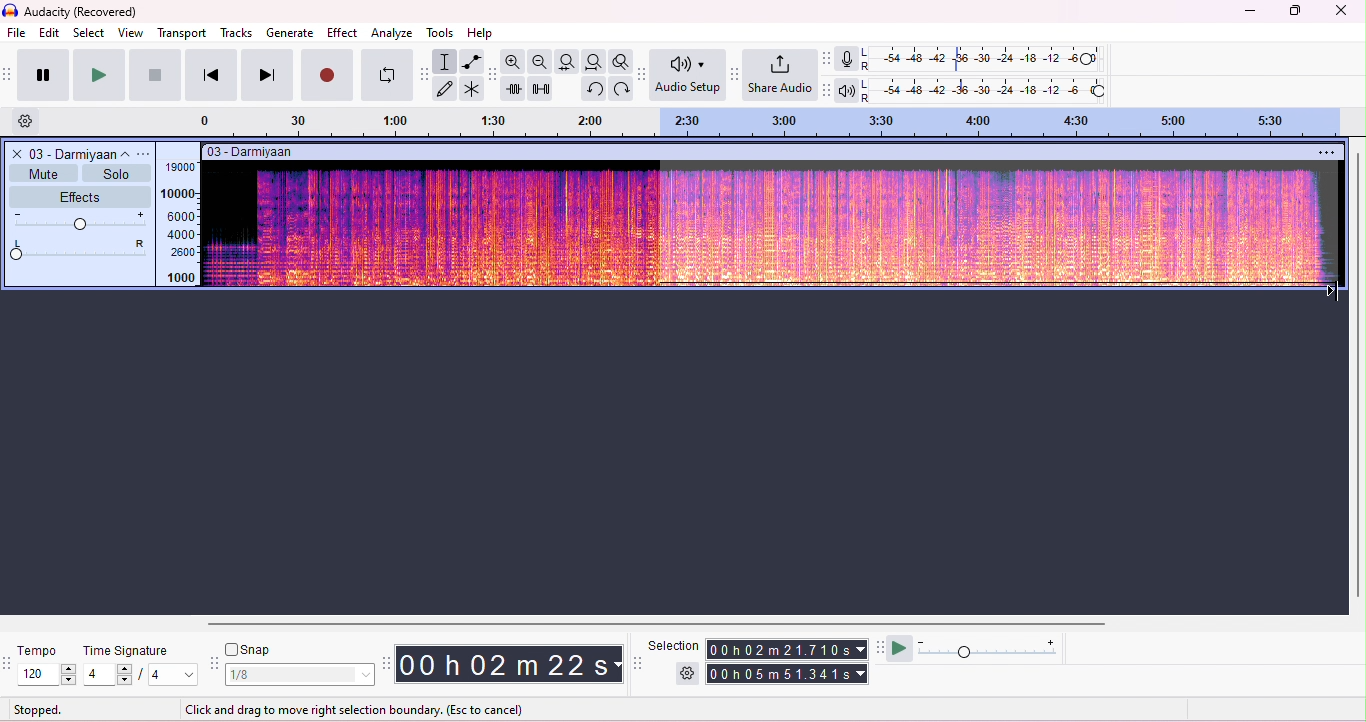  Describe the element at coordinates (393, 33) in the screenshot. I see `analyze` at that location.